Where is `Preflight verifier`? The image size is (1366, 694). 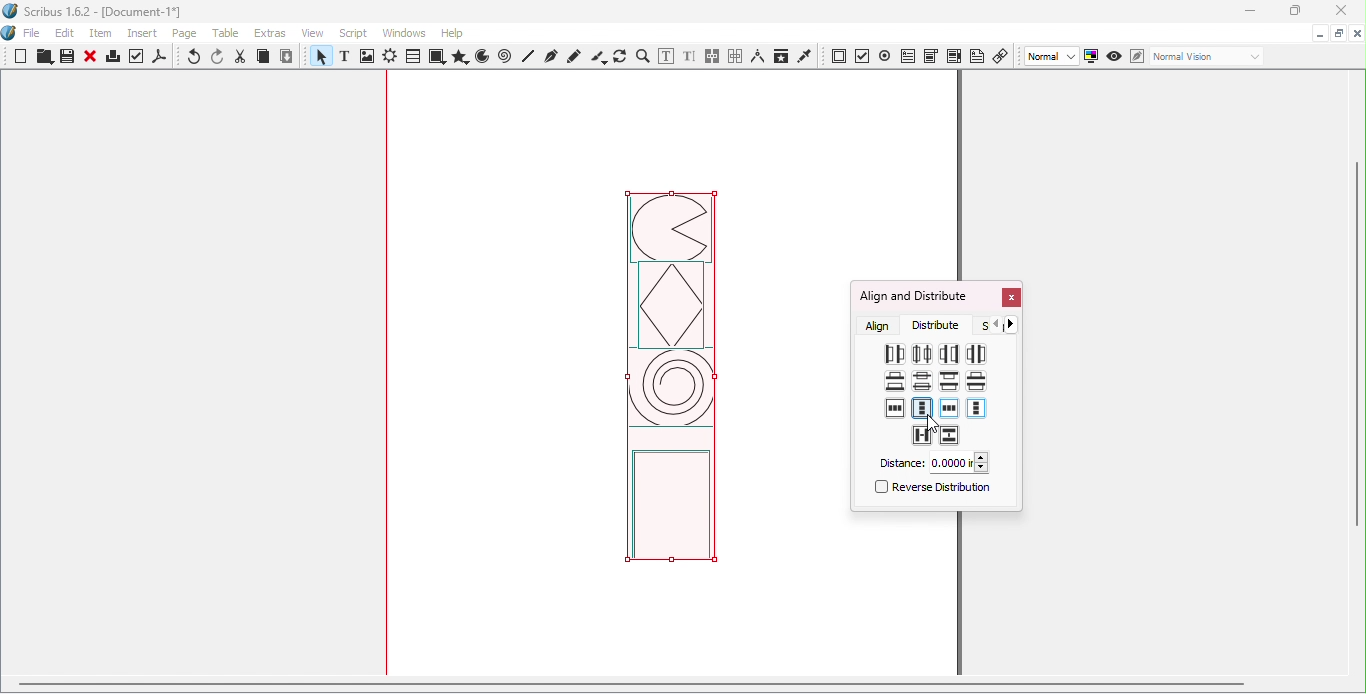
Preflight verifier is located at coordinates (137, 59).